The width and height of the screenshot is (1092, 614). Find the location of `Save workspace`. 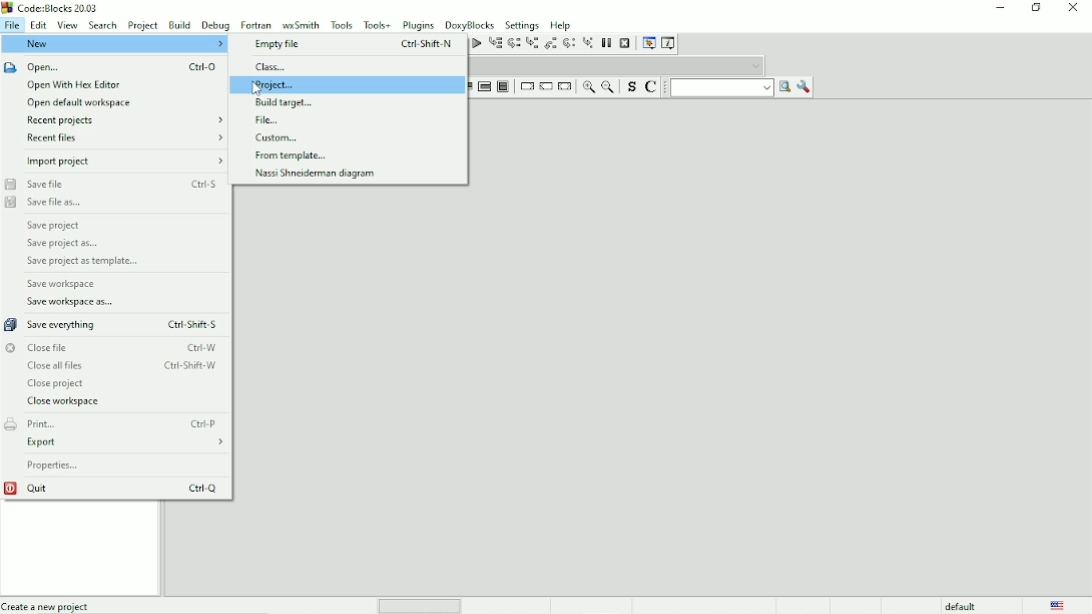

Save workspace is located at coordinates (63, 284).